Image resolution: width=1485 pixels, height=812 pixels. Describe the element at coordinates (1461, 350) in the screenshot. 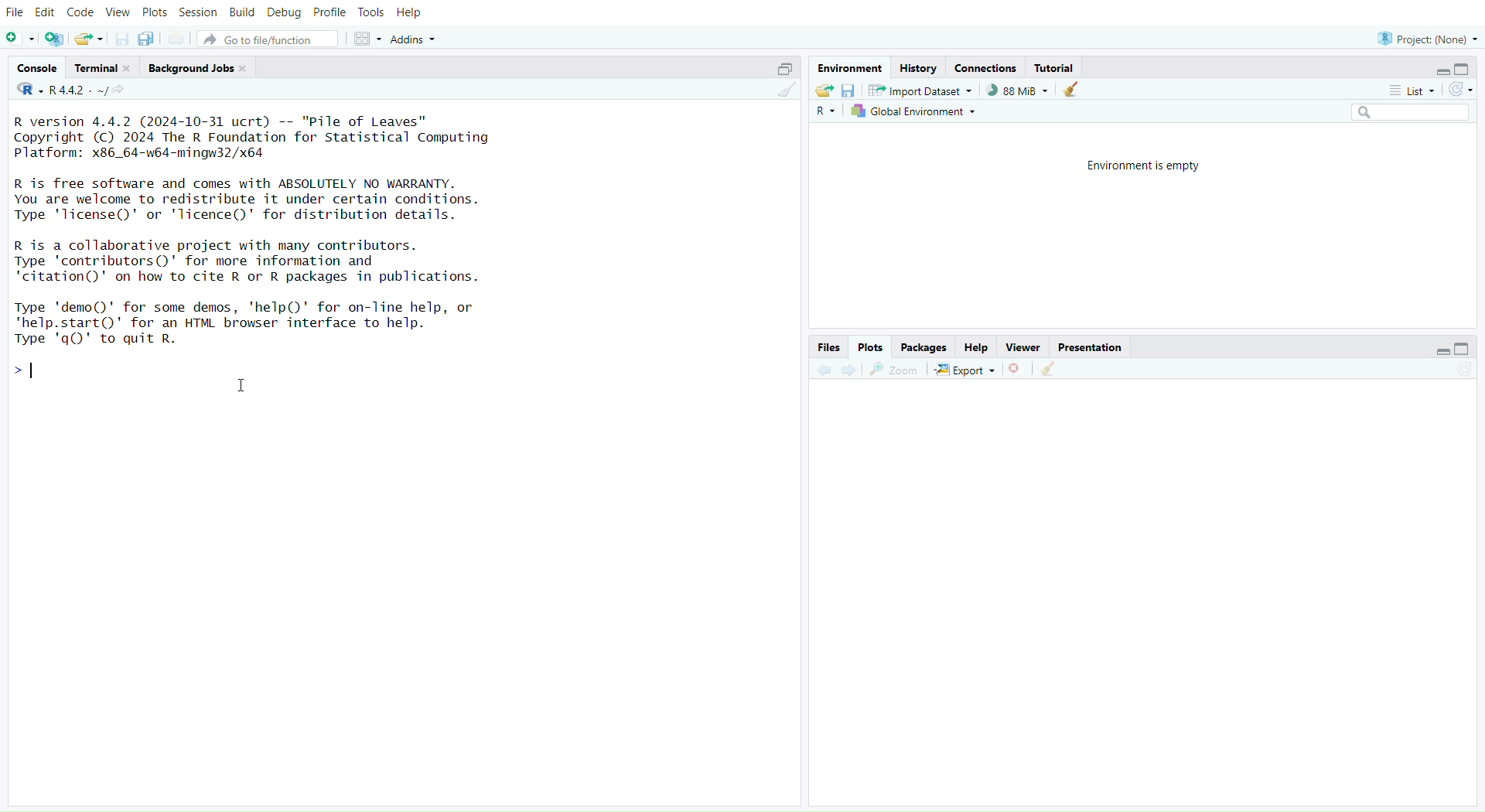

I see `collapse` at that location.